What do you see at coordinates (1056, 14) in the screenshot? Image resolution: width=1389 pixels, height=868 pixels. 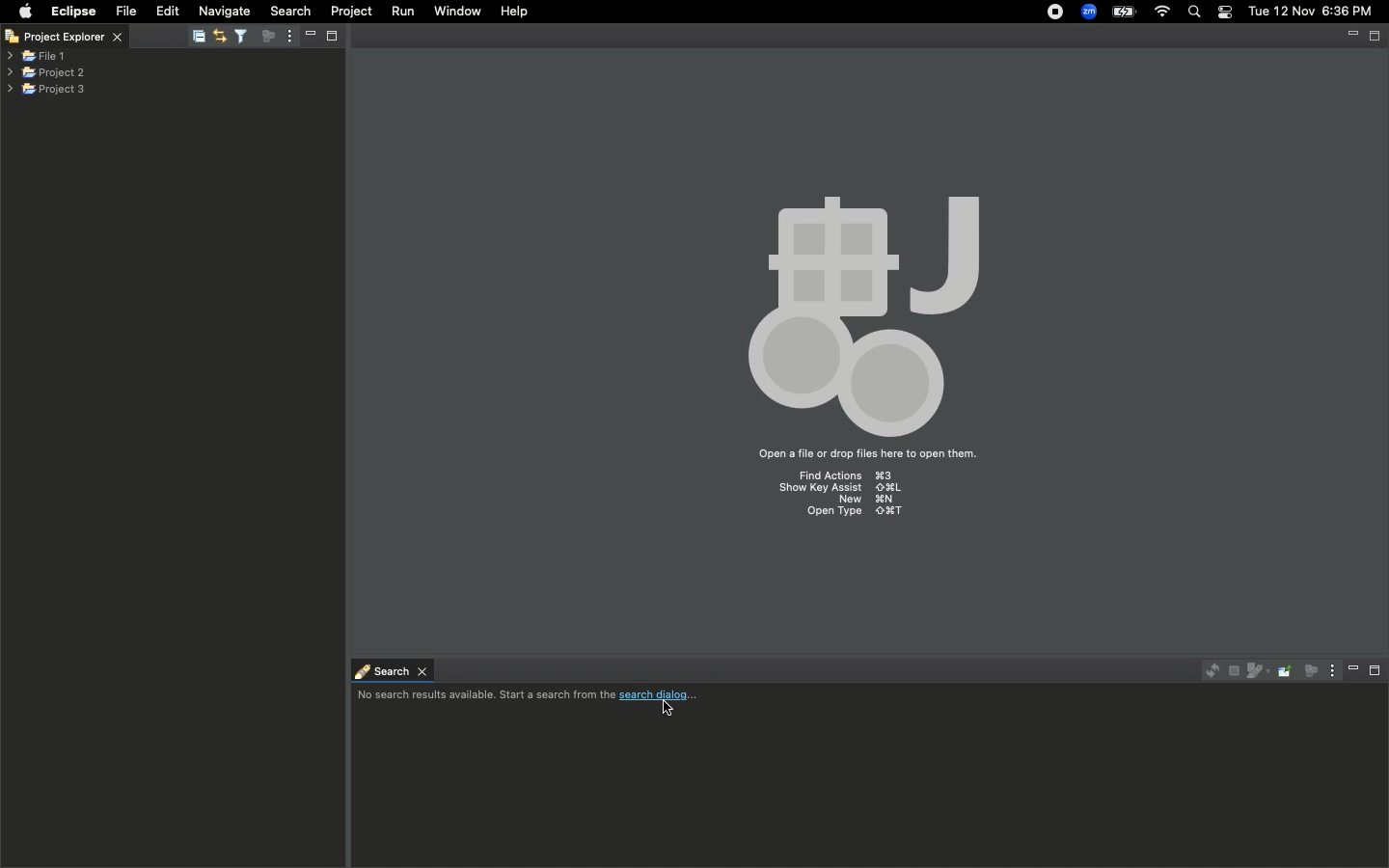 I see `Recording` at bounding box center [1056, 14].